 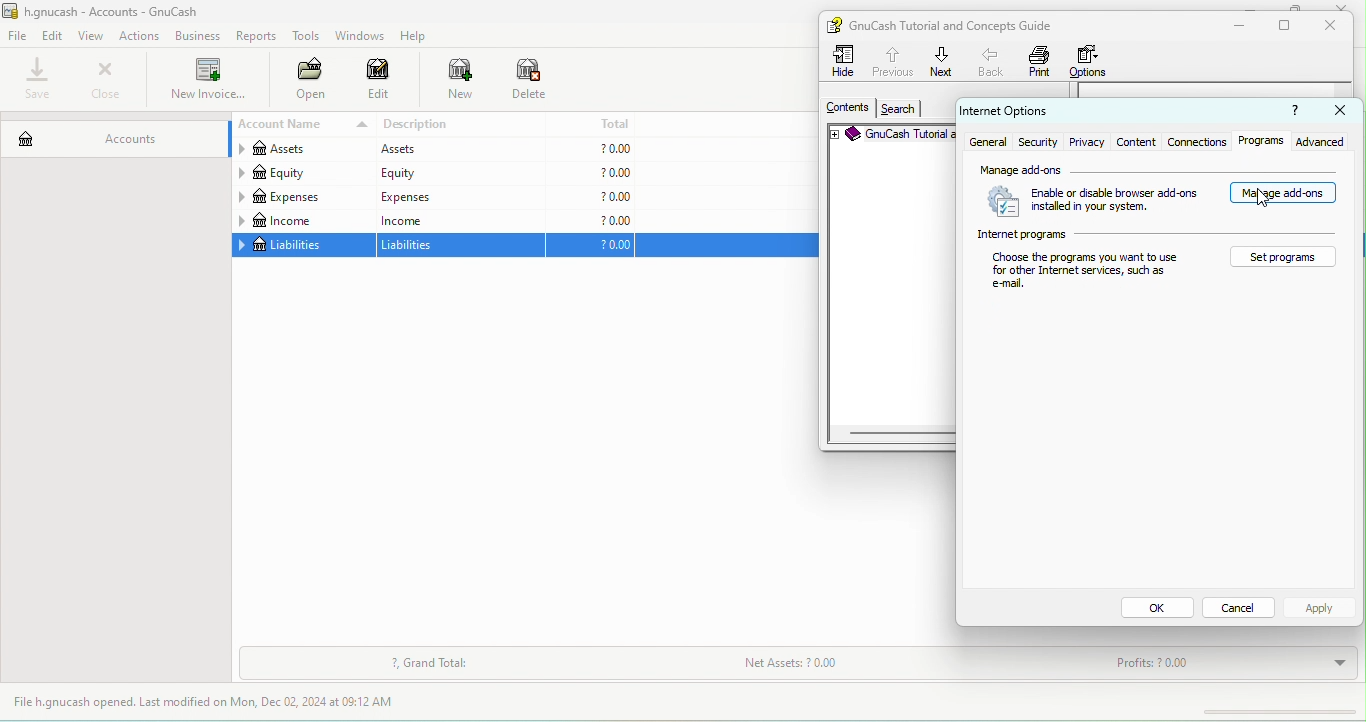 What do you see at coordinates (592, 123) in the screenshot?
I see `total` at bounding box center [592, 123].